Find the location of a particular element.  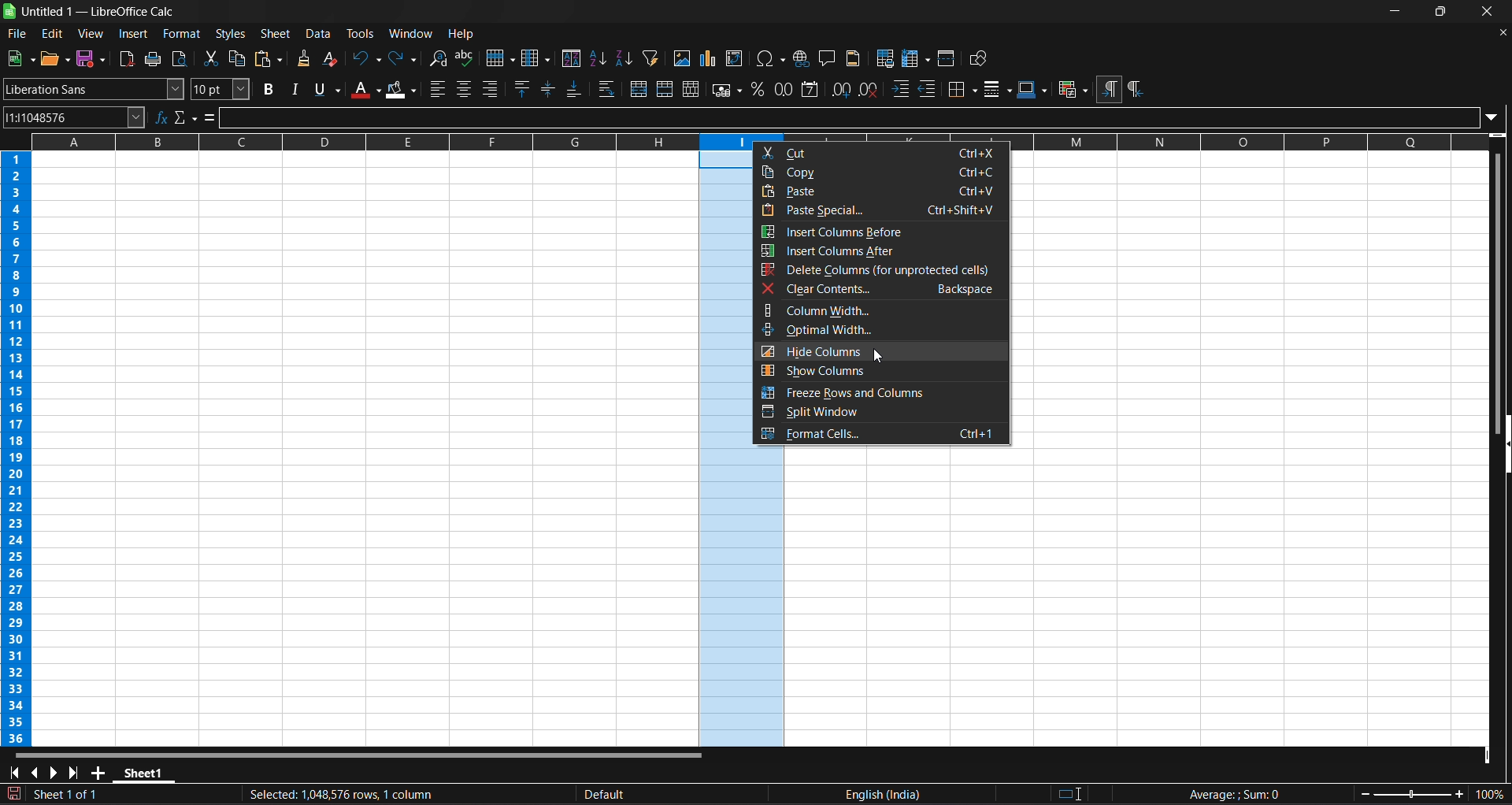

cut is located at coordinates (210, 57).